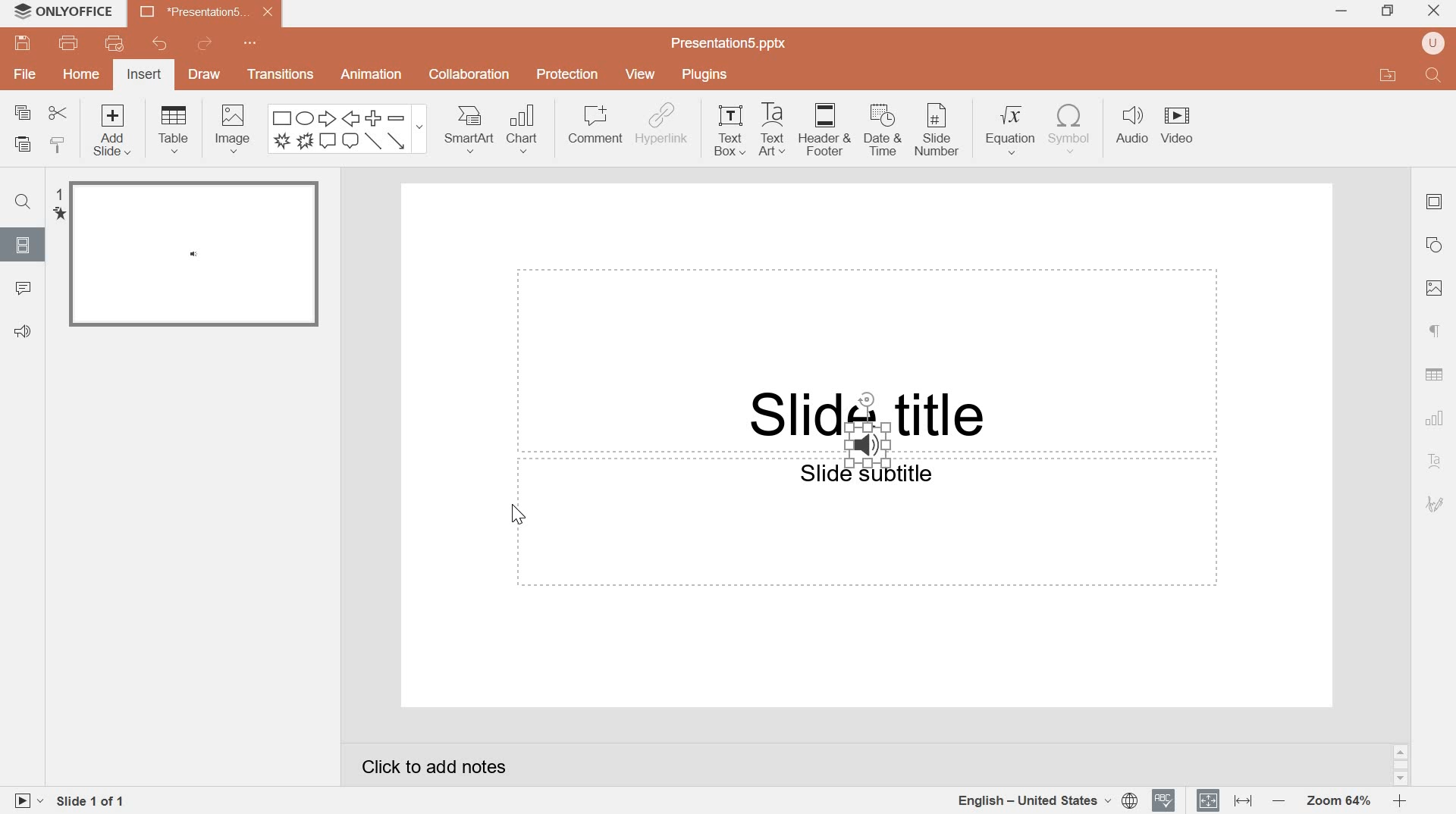 The height and width of the screenshot is (814, 1456). What do you see at coordinates (1435, 505) in the screenshot?
I see `signature` at bounding box center [1435, 505].